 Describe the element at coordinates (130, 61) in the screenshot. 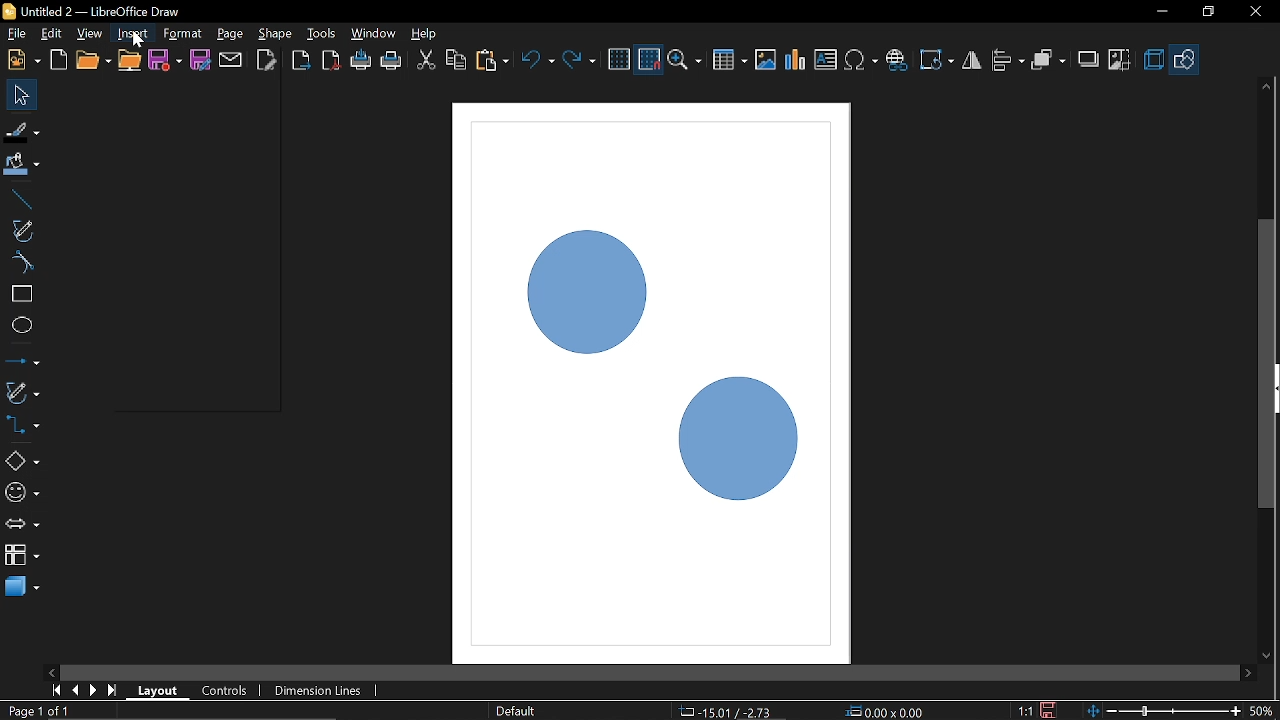

I see `Open remote file` at that location.